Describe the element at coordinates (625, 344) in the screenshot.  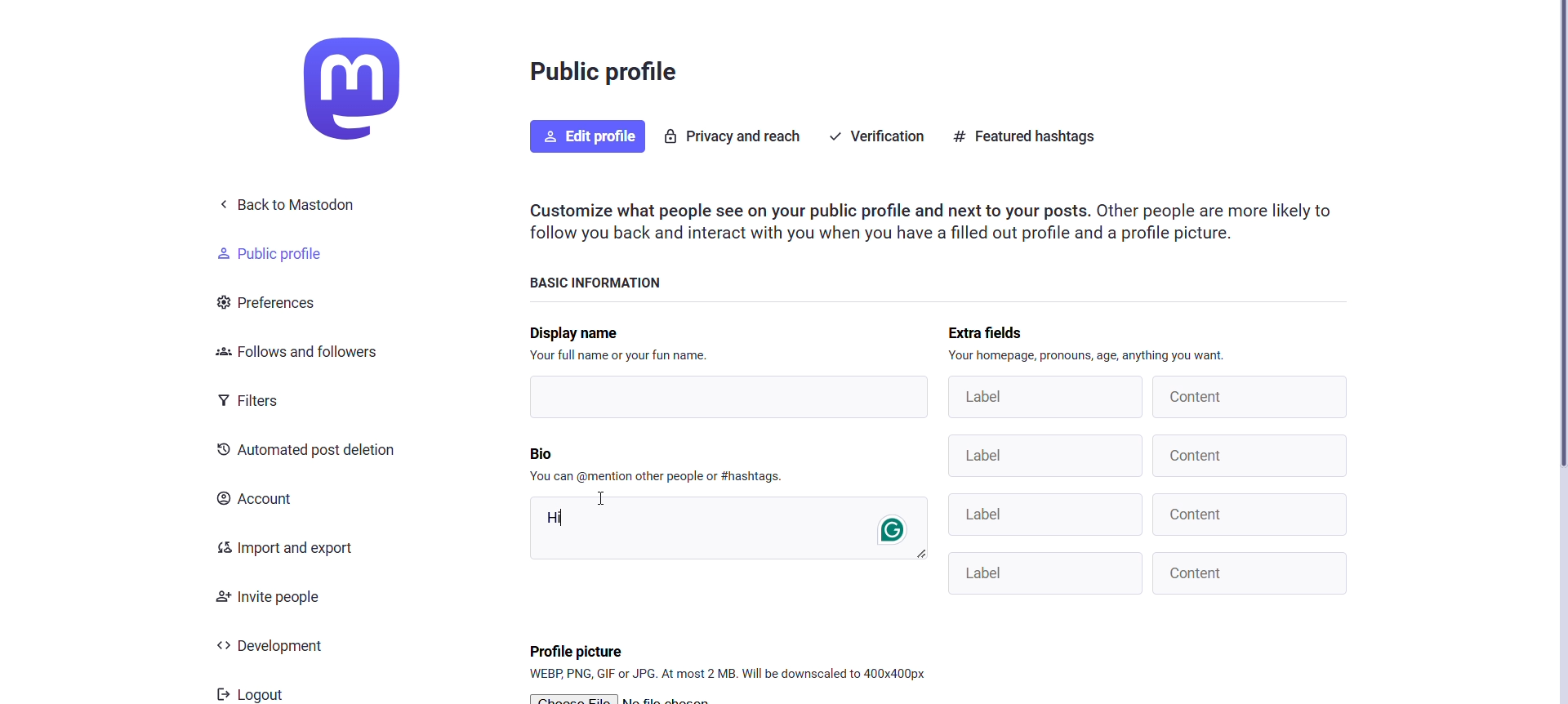
I see `Display name
Your full name or your fun name.` at that location.